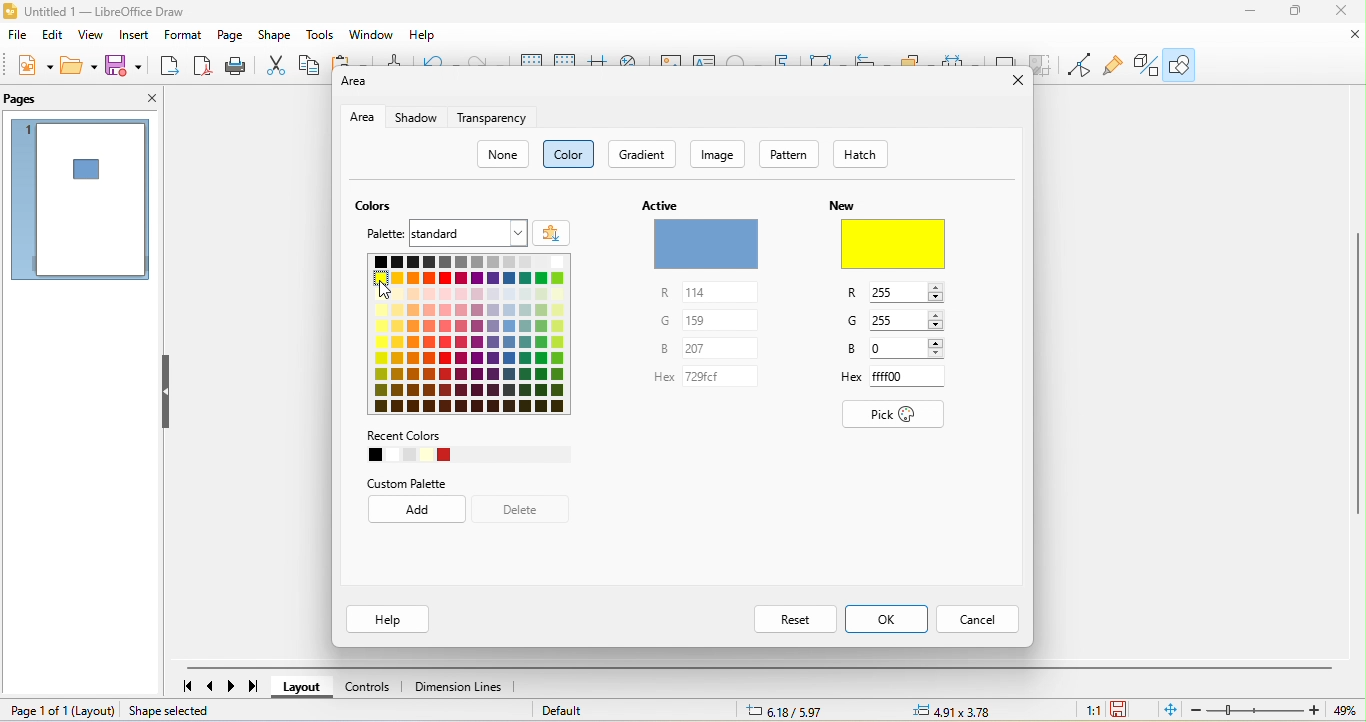 This screenshot has width=1366, height=722. Describe the element at coordinates (1081, 67) in the screenshot. I see `toggle point edit mode` at that location.